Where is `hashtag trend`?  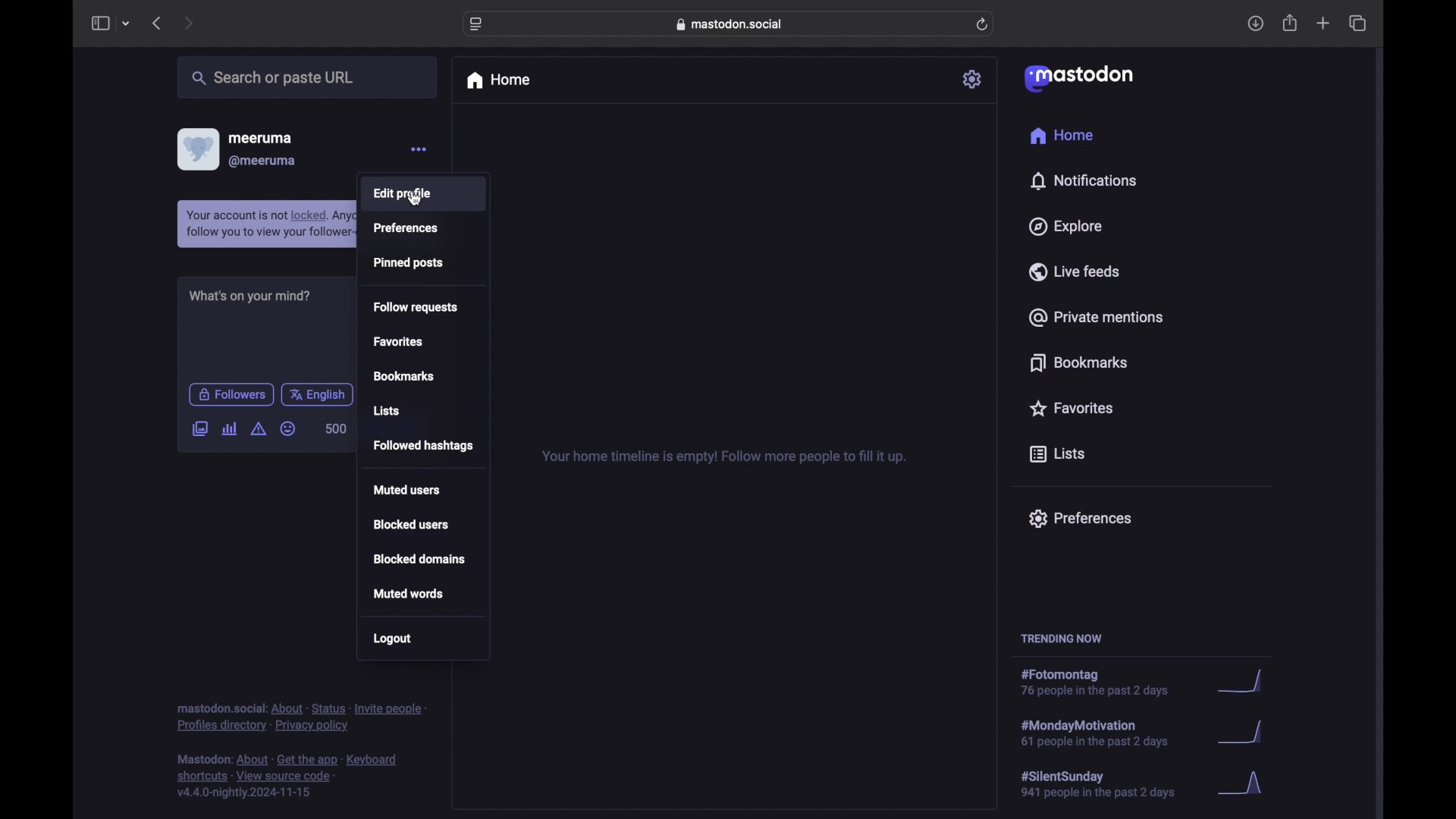
hashtag trend is located at coordinates (1145, 785).